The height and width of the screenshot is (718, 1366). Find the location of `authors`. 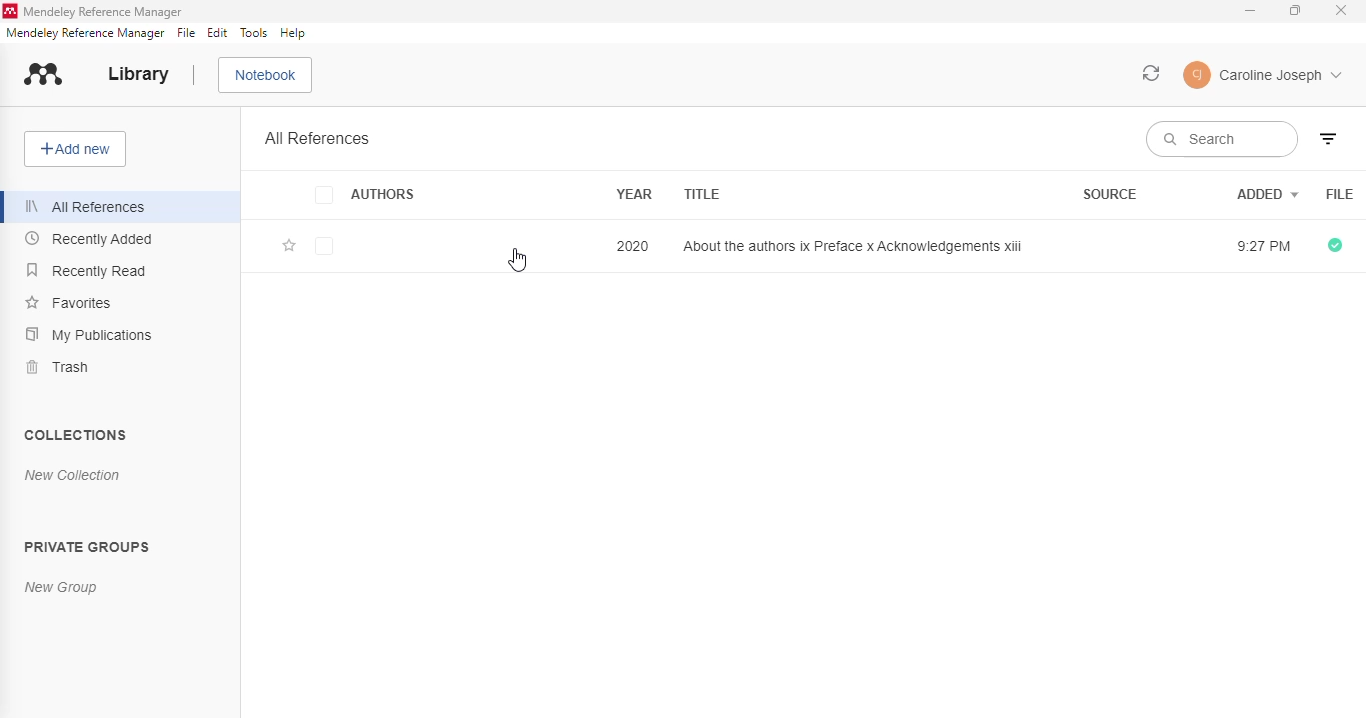

authors is located at coordinates (365, 194).